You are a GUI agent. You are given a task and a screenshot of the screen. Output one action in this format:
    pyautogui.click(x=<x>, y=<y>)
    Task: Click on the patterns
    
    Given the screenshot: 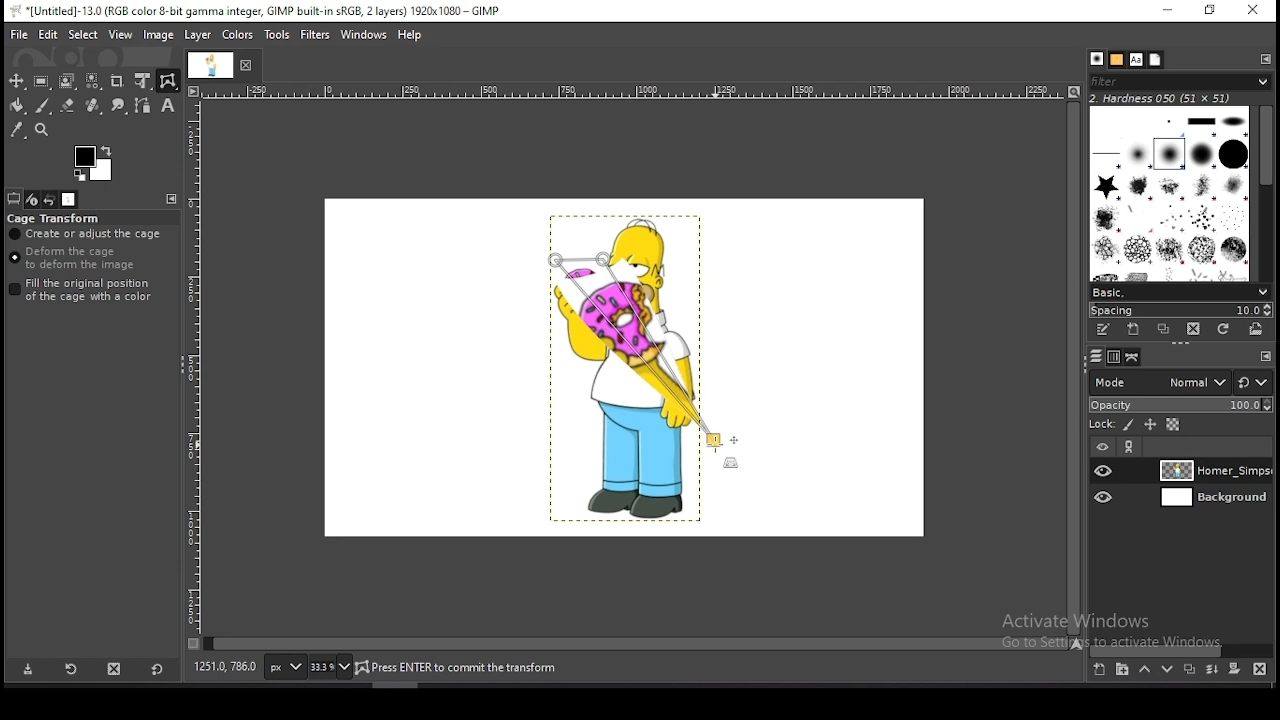 What is the action you would take?
    pyautogui.click(x=1116, y=60)
    